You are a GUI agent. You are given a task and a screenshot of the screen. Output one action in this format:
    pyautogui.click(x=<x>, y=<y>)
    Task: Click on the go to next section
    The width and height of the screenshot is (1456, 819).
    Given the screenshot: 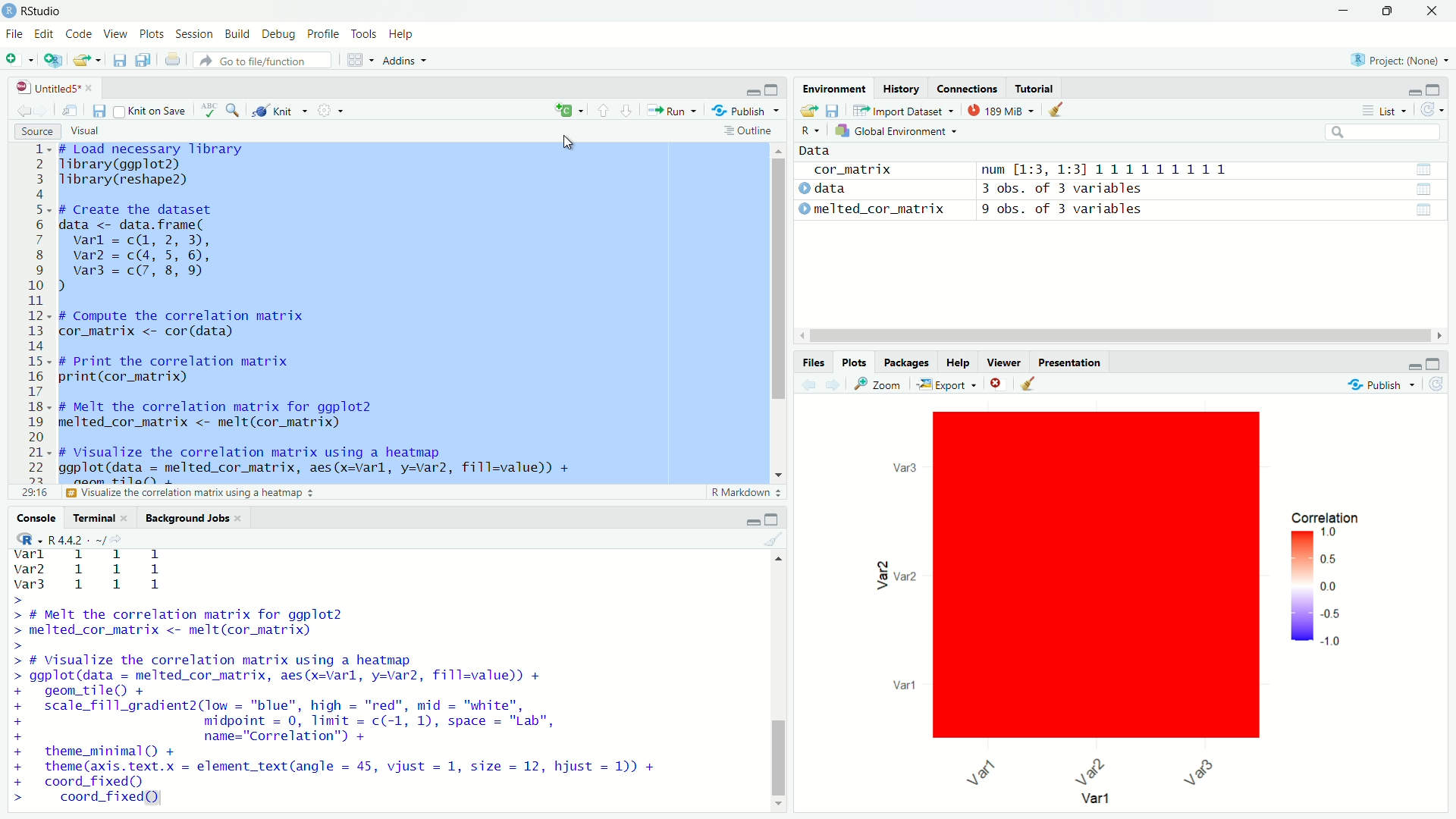 What is the action you would take?
    pyautogui.click(x=626, y=109)
    